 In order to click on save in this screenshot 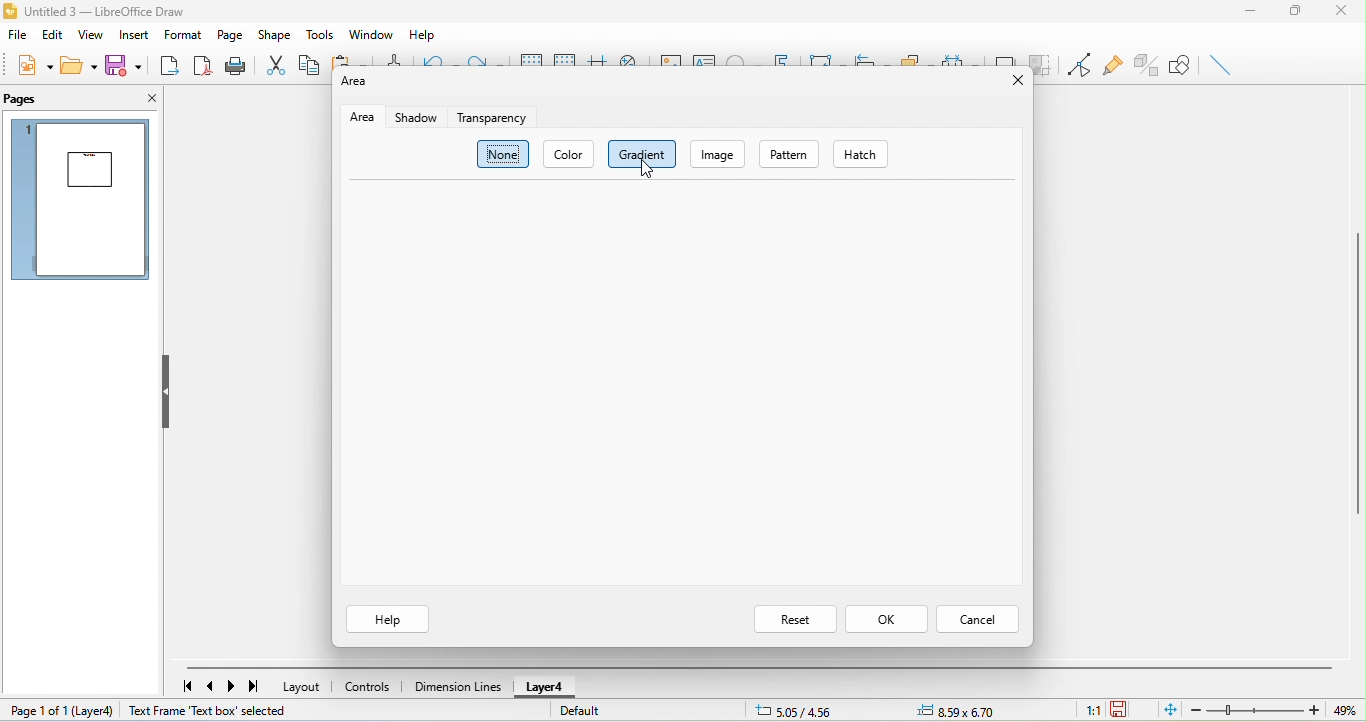, I will do `click(124, 64)`.